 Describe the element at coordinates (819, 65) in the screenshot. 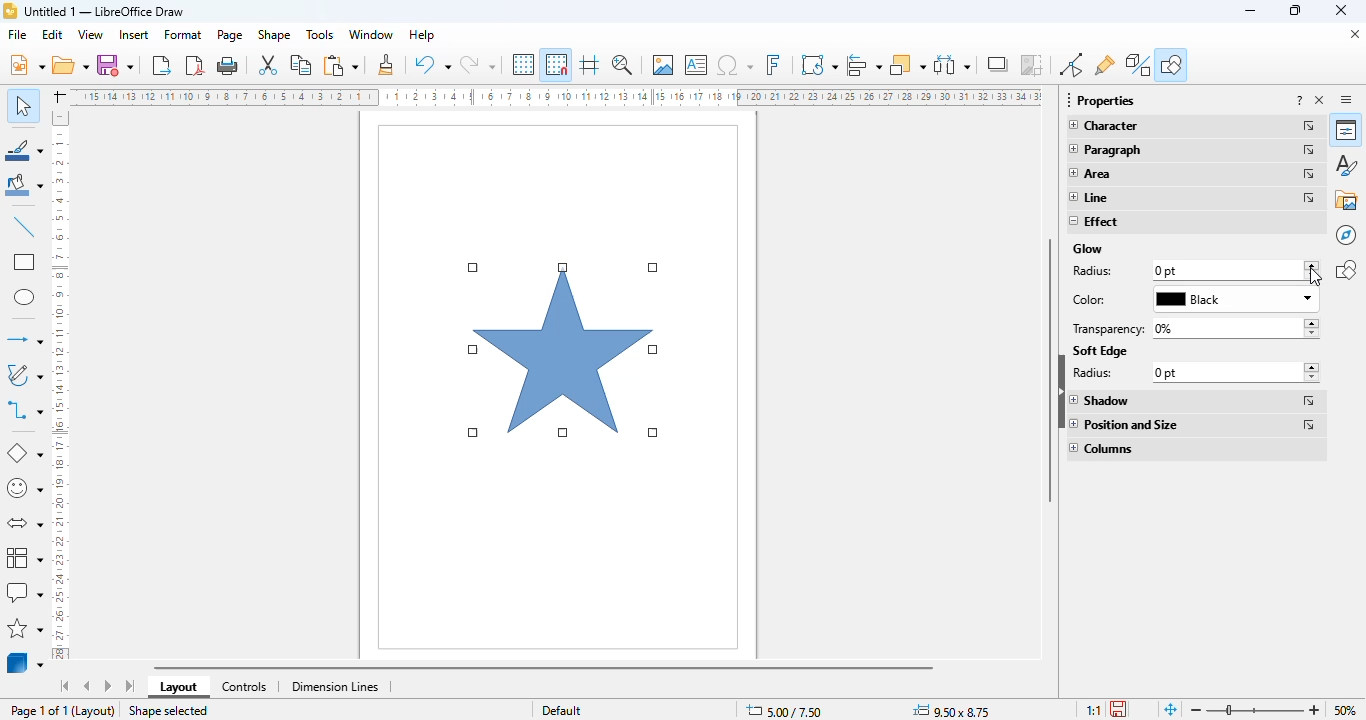

I see `transformations` at that location.